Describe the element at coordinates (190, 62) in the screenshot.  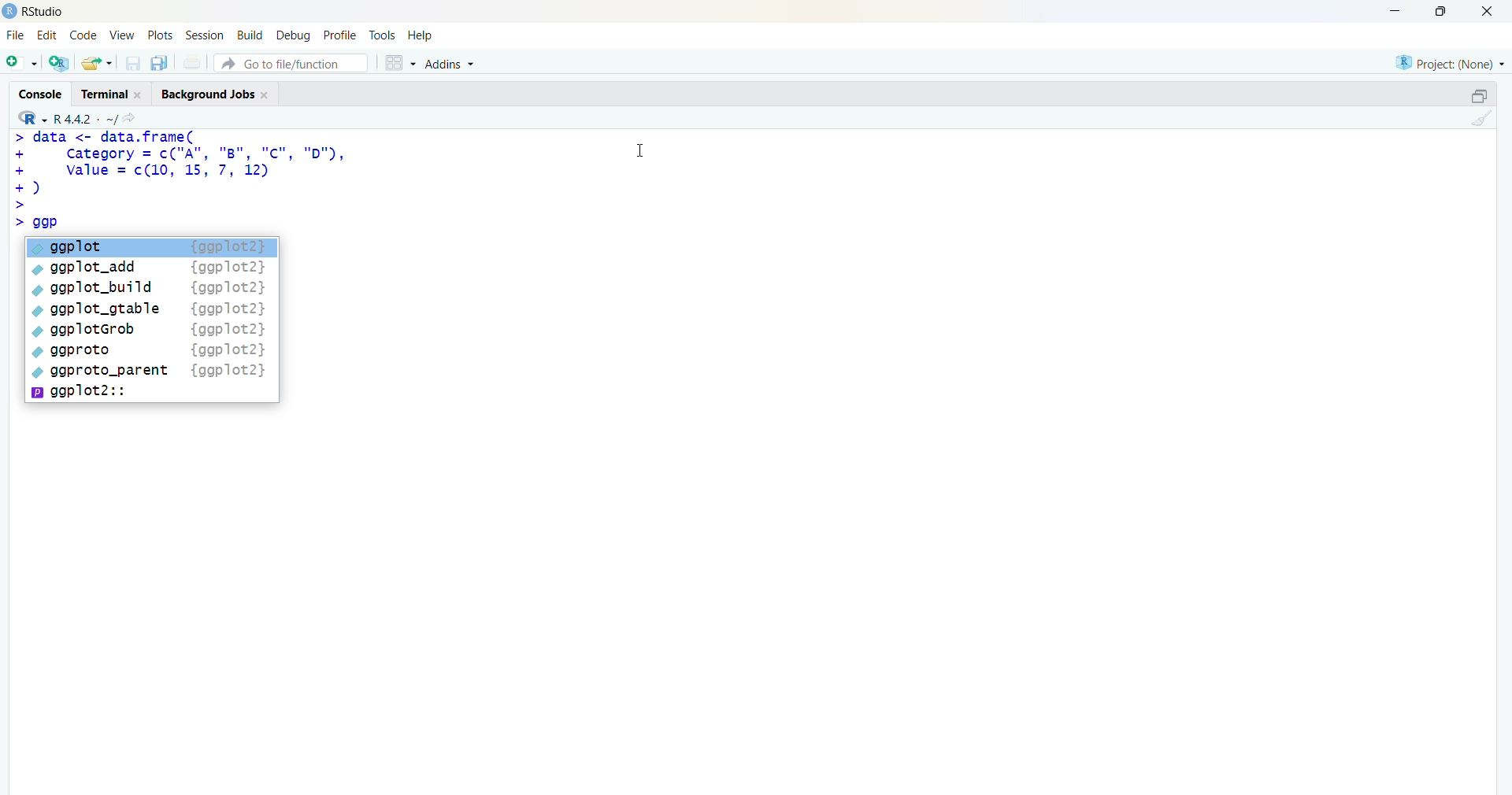
I see `print current file` at that location.